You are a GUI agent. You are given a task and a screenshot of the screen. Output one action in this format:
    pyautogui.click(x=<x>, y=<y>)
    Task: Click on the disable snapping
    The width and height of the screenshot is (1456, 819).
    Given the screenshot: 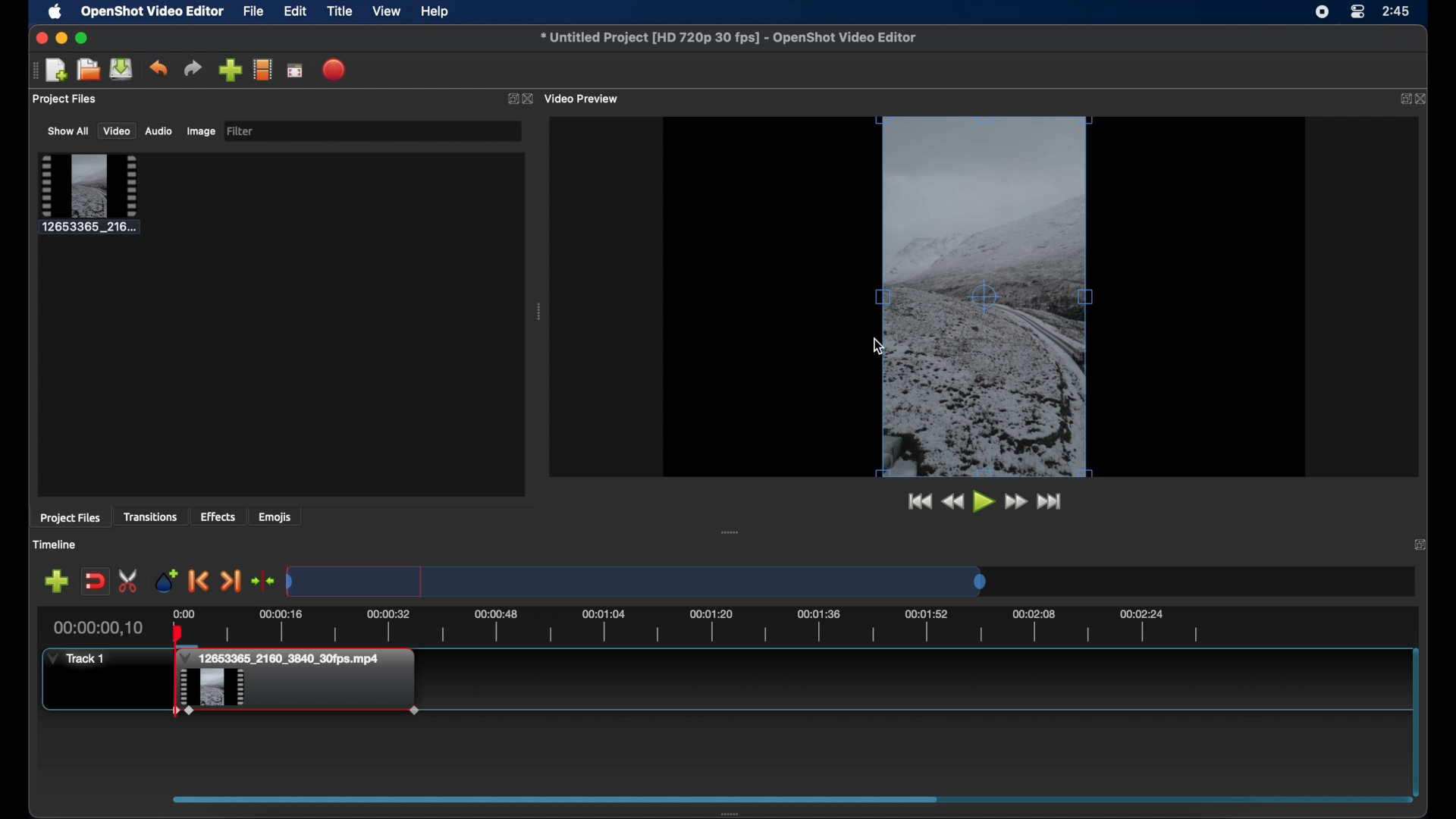 What is the action you would take?
    pyautogui.click(x=95, y=581)
    